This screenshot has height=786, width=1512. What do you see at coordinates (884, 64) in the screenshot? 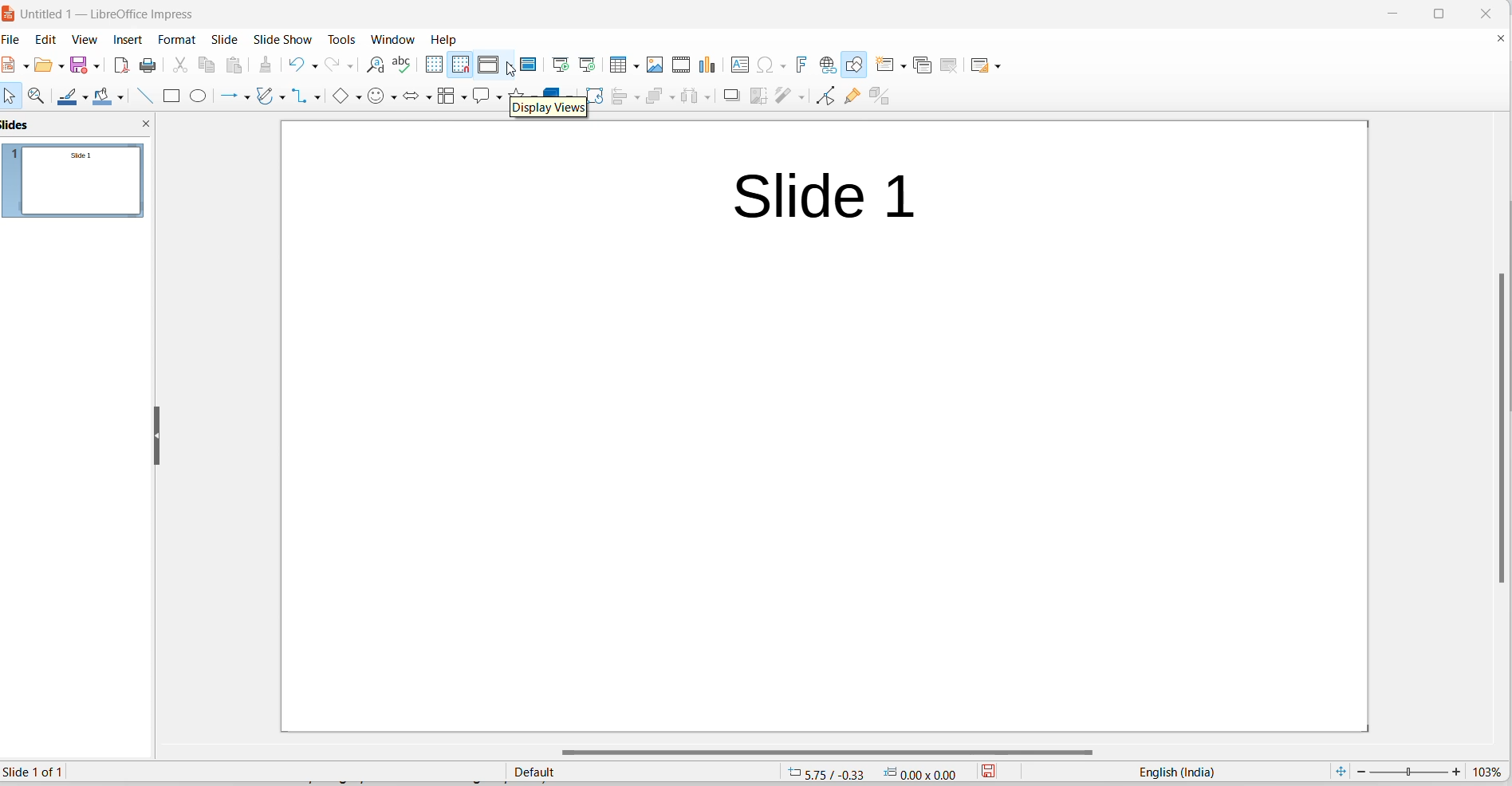
I see `new slide` at bounding box center [884, 64].